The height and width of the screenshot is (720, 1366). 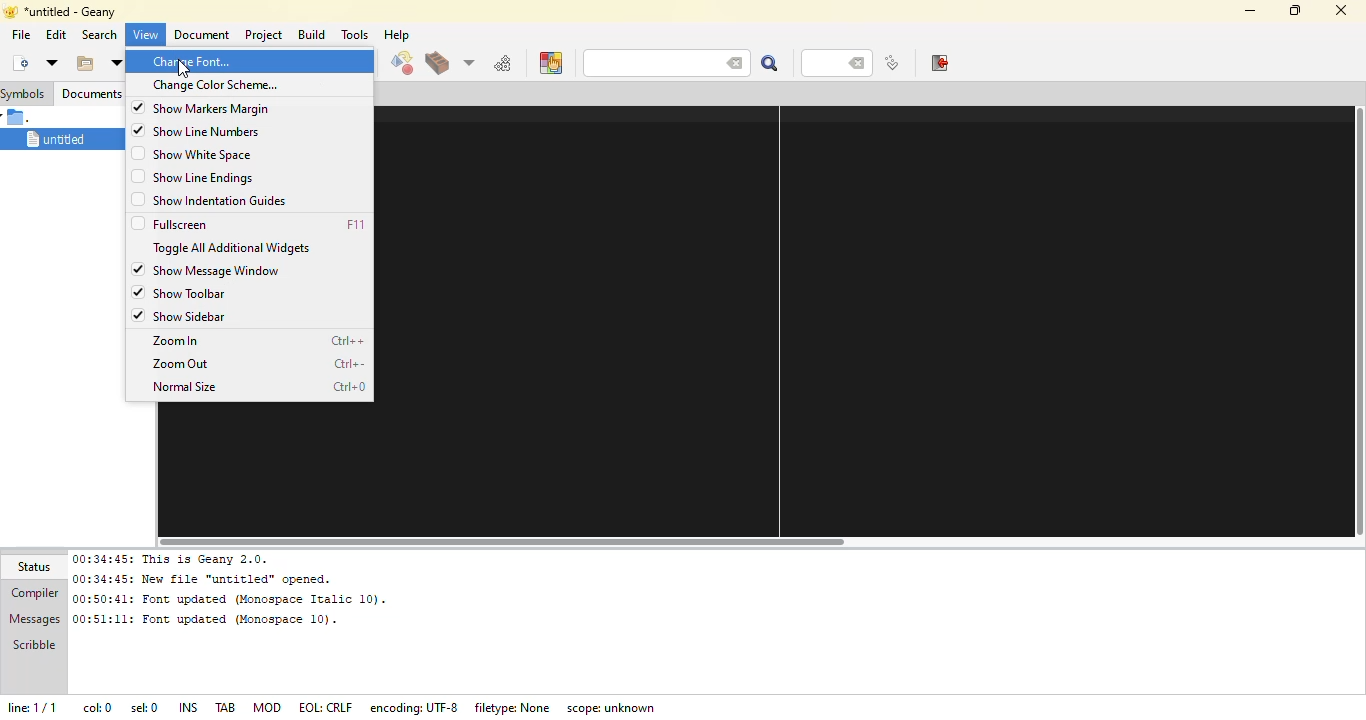 I want to click on f11, so click(x=357, y=224).